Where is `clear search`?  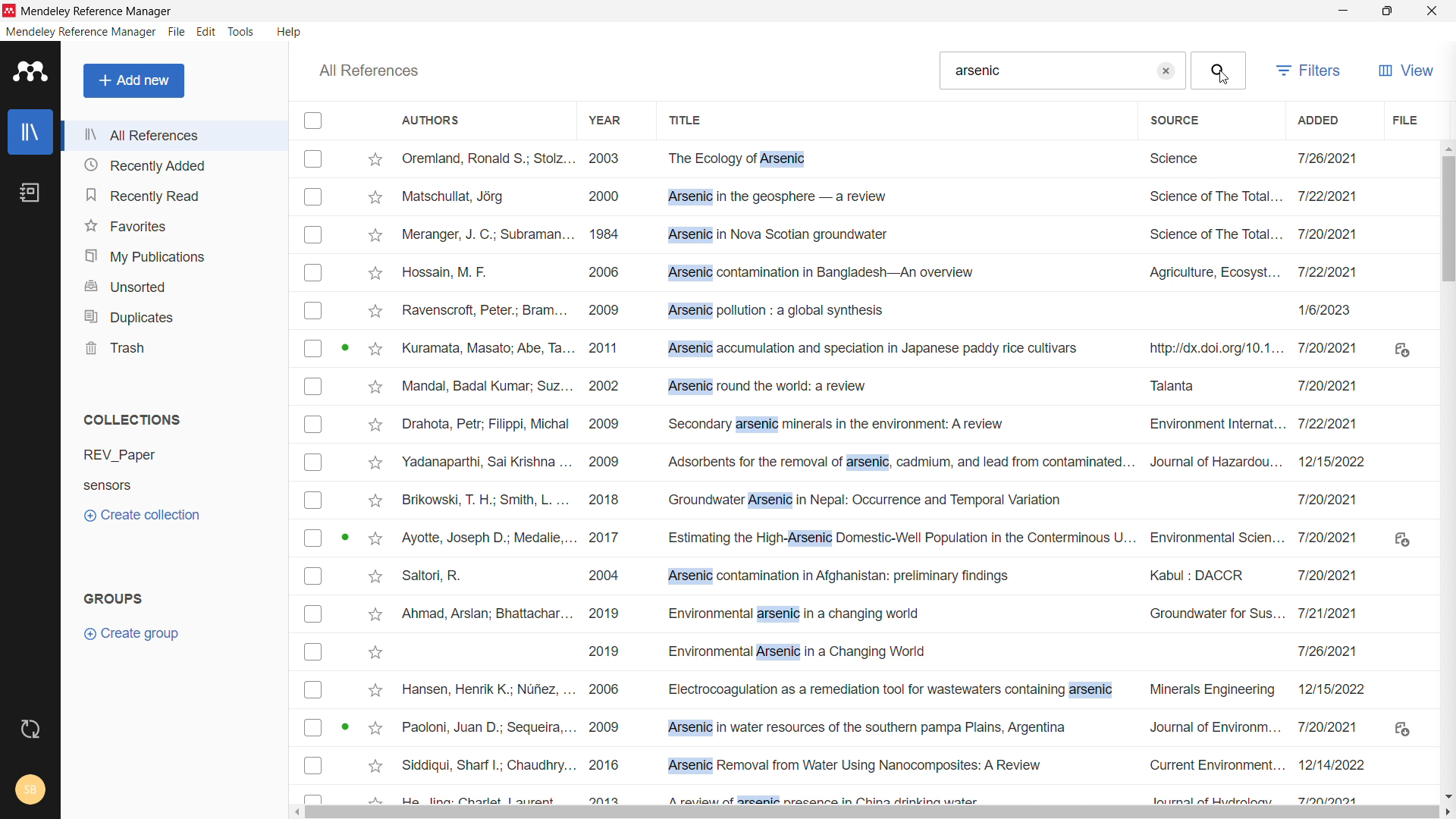
clear search is located at coordinates (1166, 71).